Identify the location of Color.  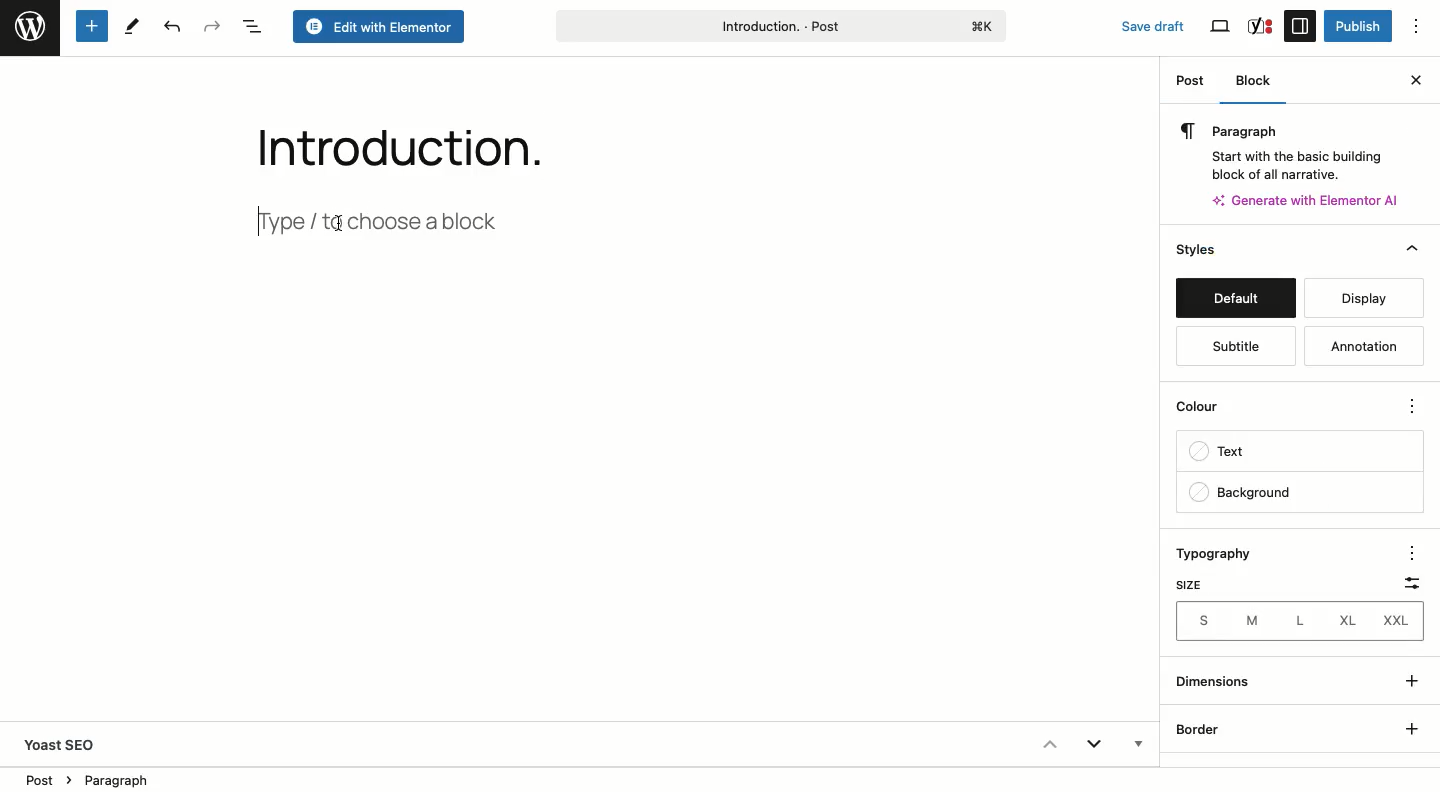
(1208, 411).